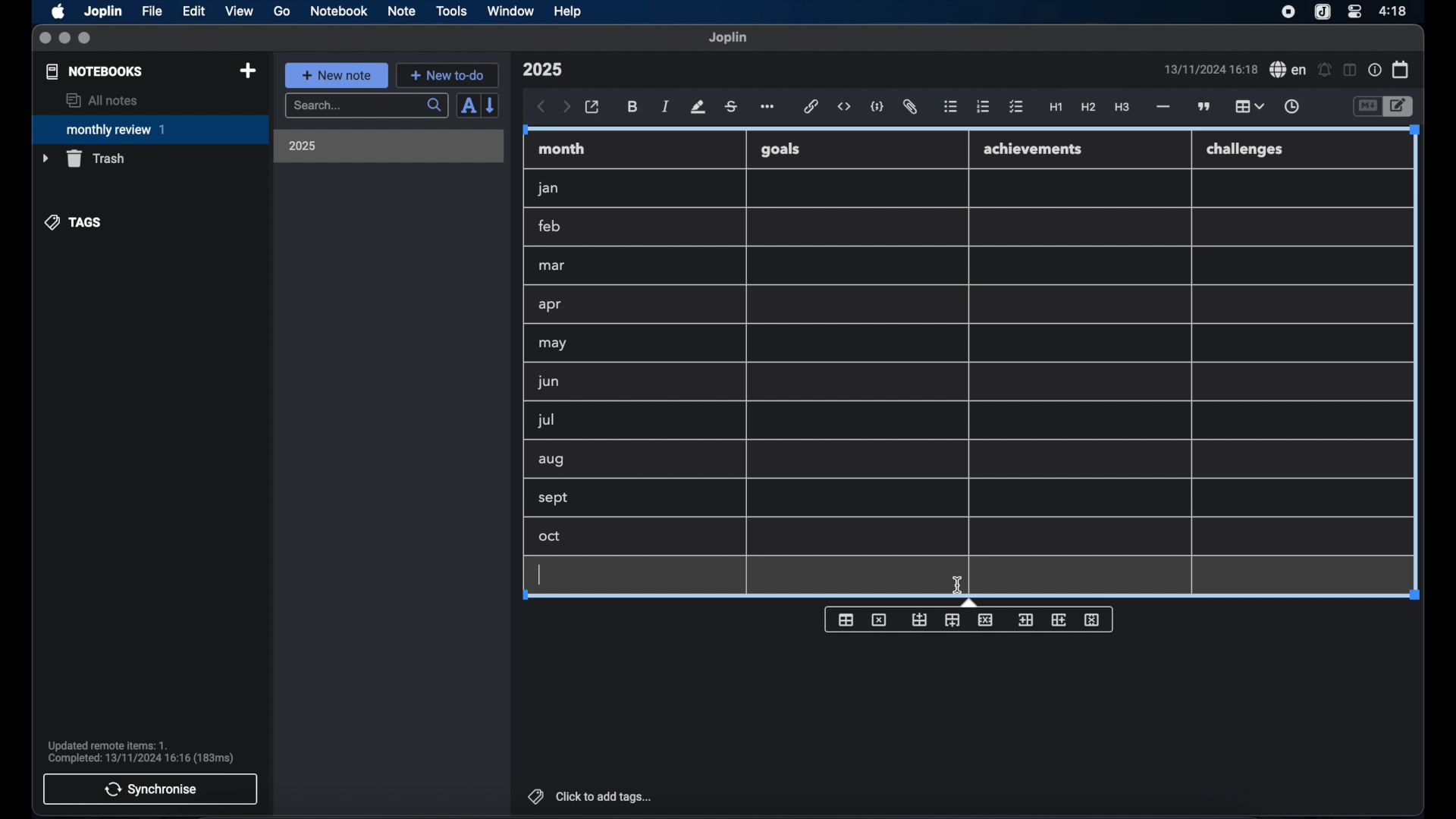  What do you see at coordinates (1351, 70) in the screenshot?
I see `toggle editor layout` at bounding box center [1351, 70].